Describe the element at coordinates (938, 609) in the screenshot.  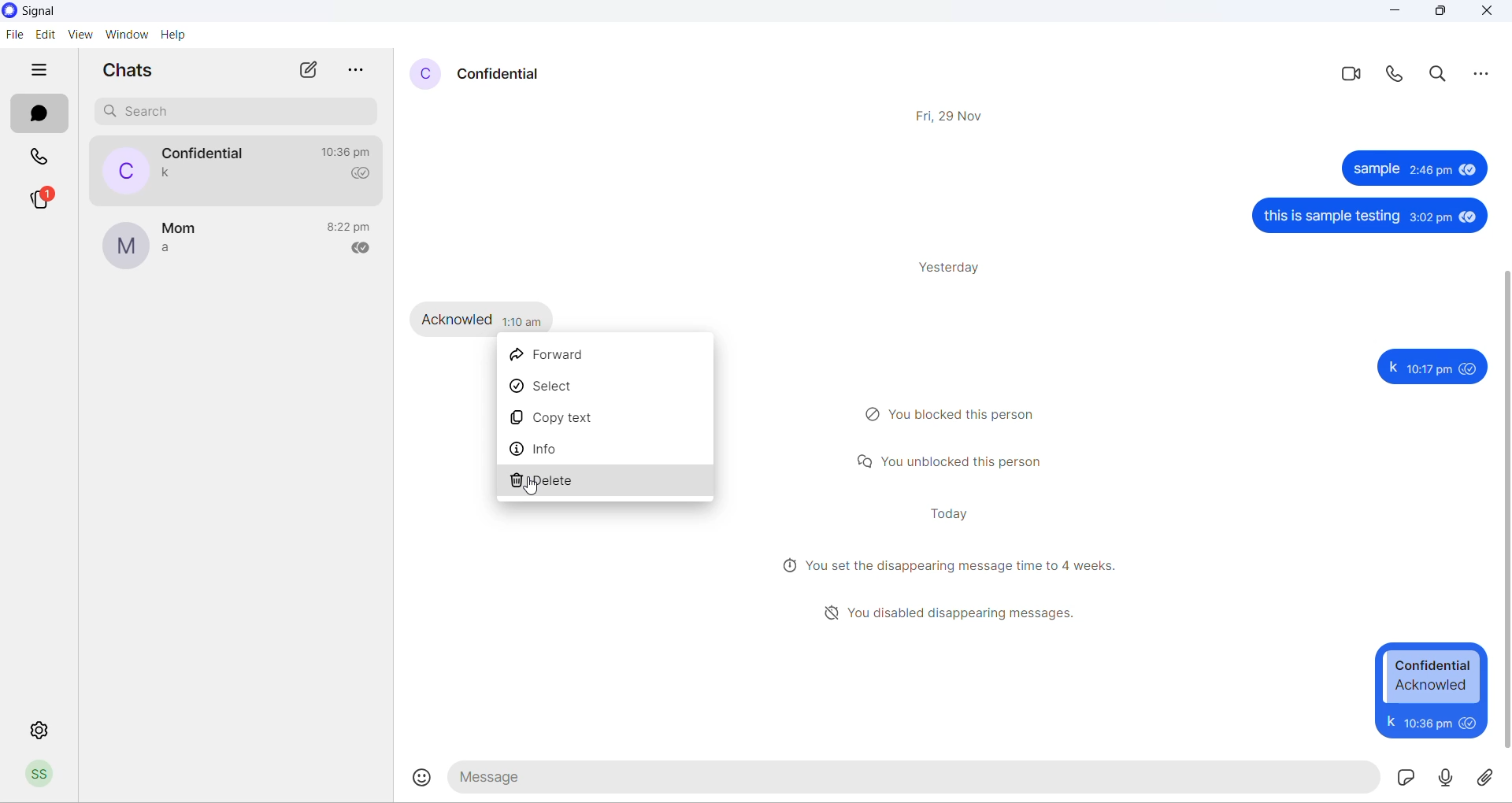
I see `disappearing message notification` at that location.